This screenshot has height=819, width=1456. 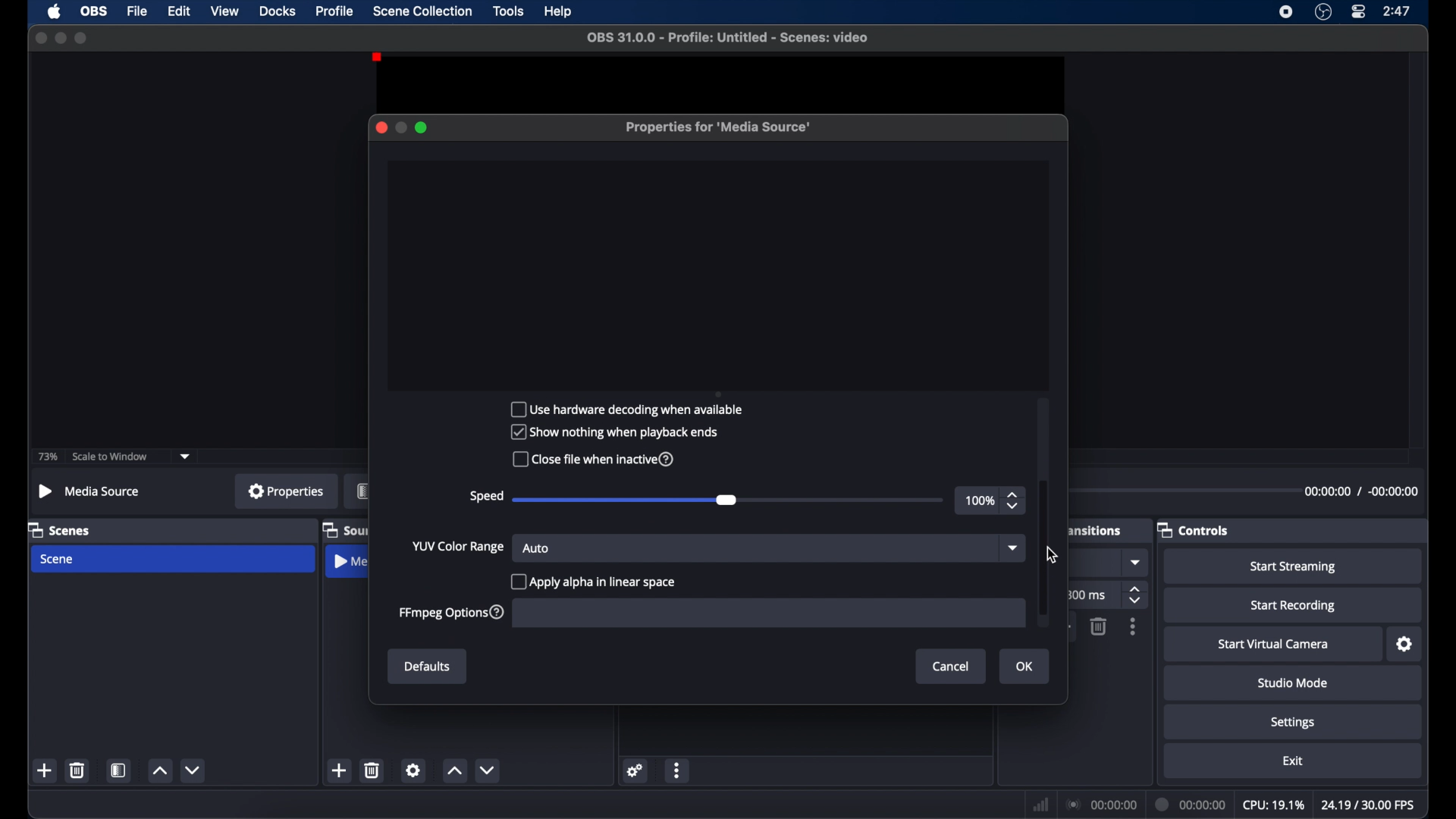 What do you see at coordinates (1100, 528) in the screenshot?
I see `transitions` at bounding box center [1100, 528].